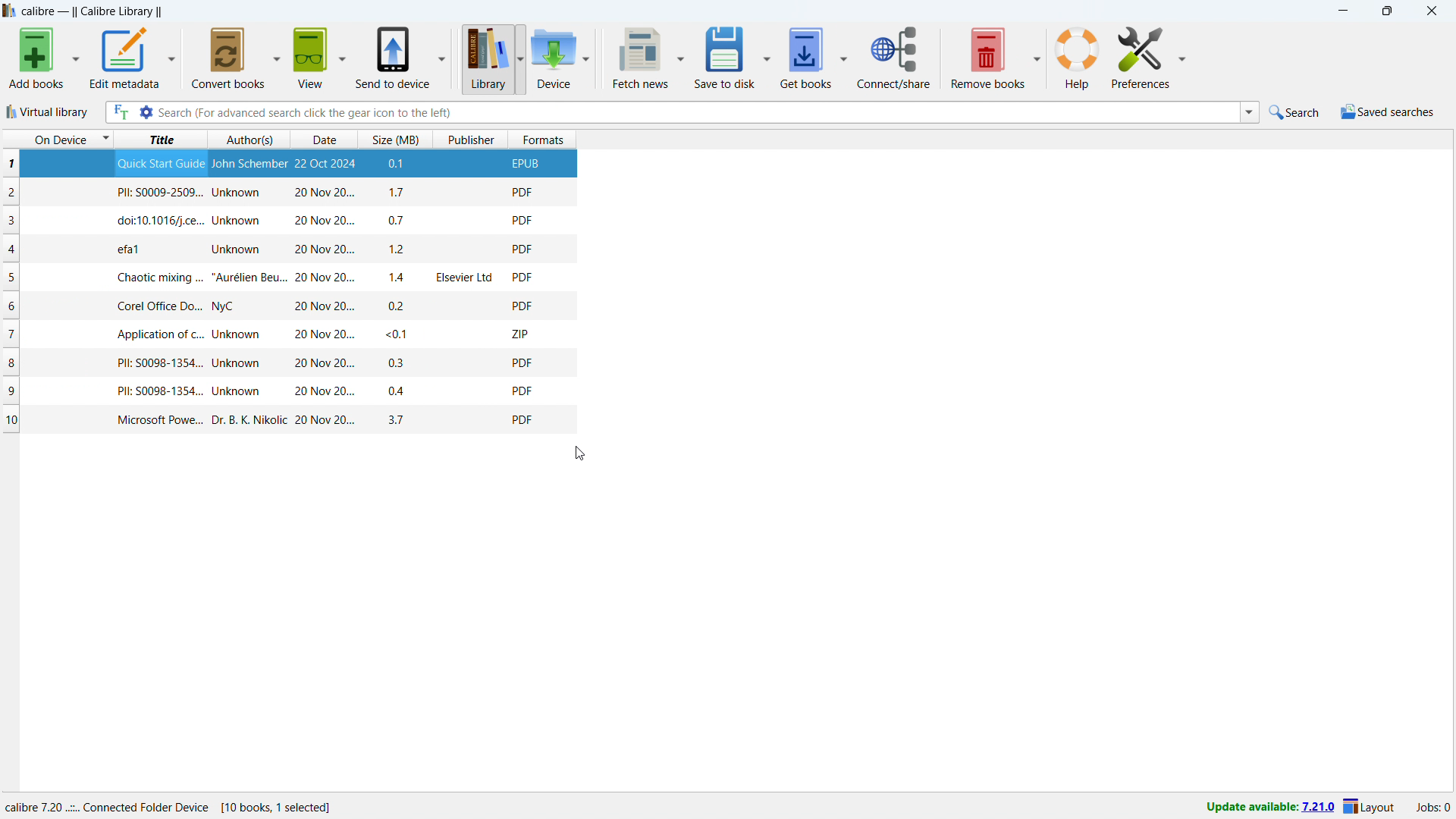  I want to click on sort by size, so click(396, 139).